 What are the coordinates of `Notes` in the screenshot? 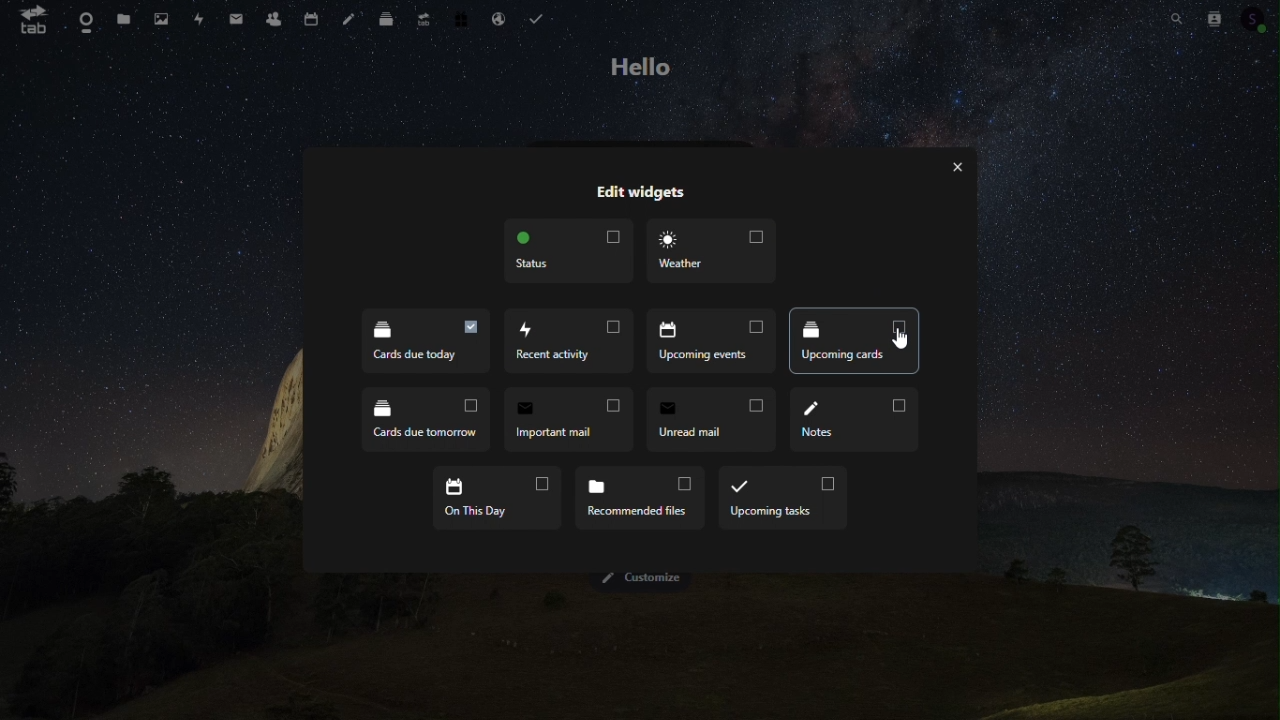 It's located at (352, 18).